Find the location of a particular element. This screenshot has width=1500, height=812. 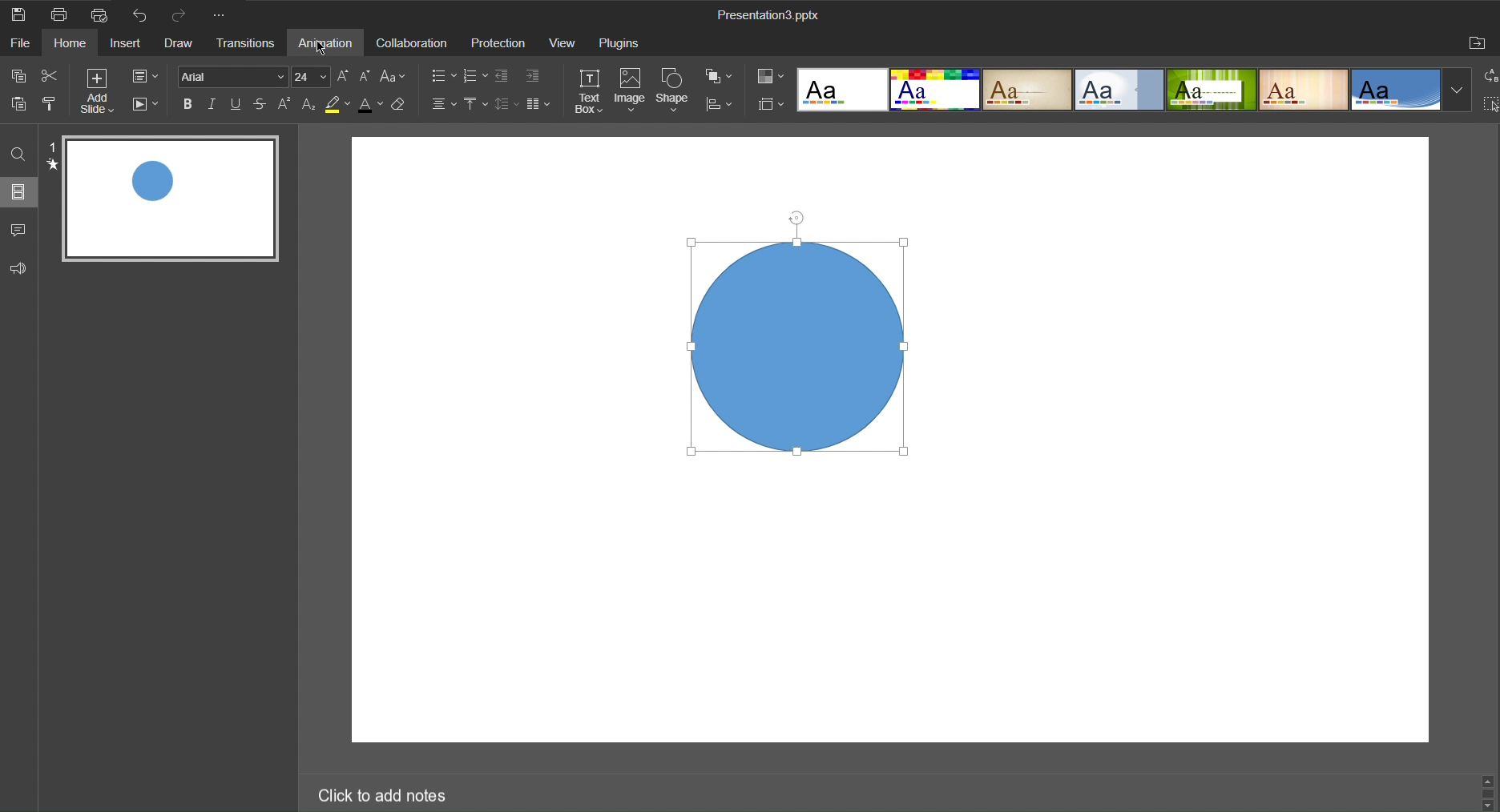

Print is located at coordinates (58, 14).